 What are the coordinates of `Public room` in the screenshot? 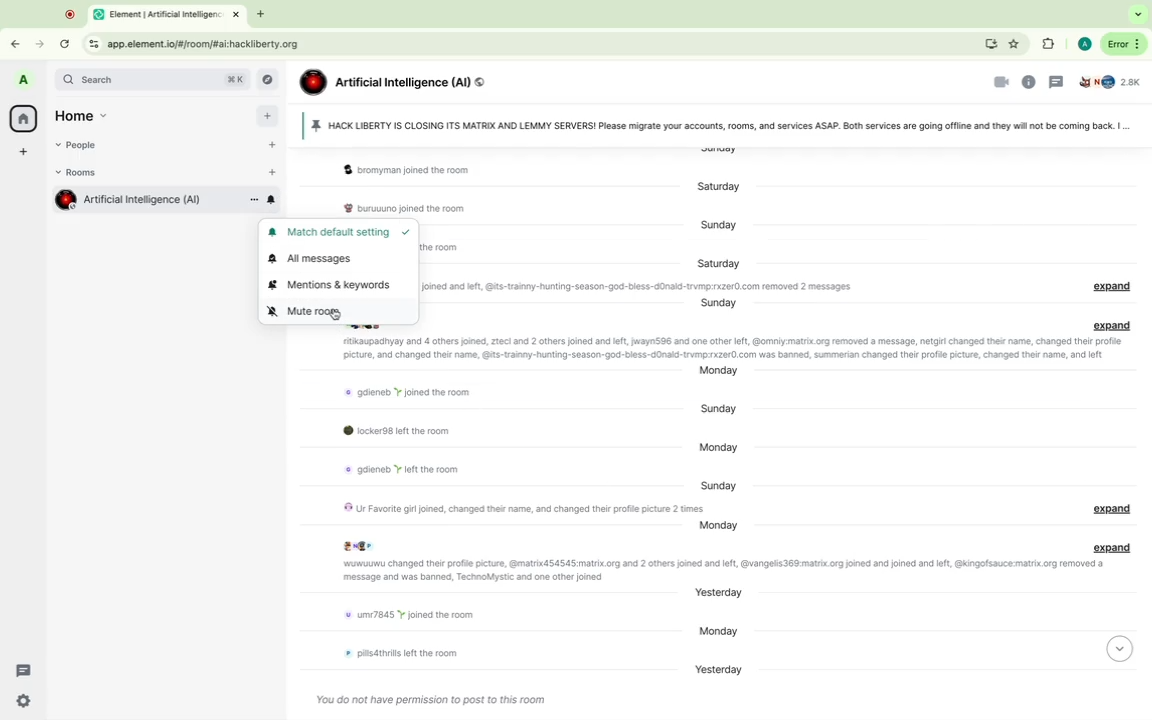 It's located at (481, 82).